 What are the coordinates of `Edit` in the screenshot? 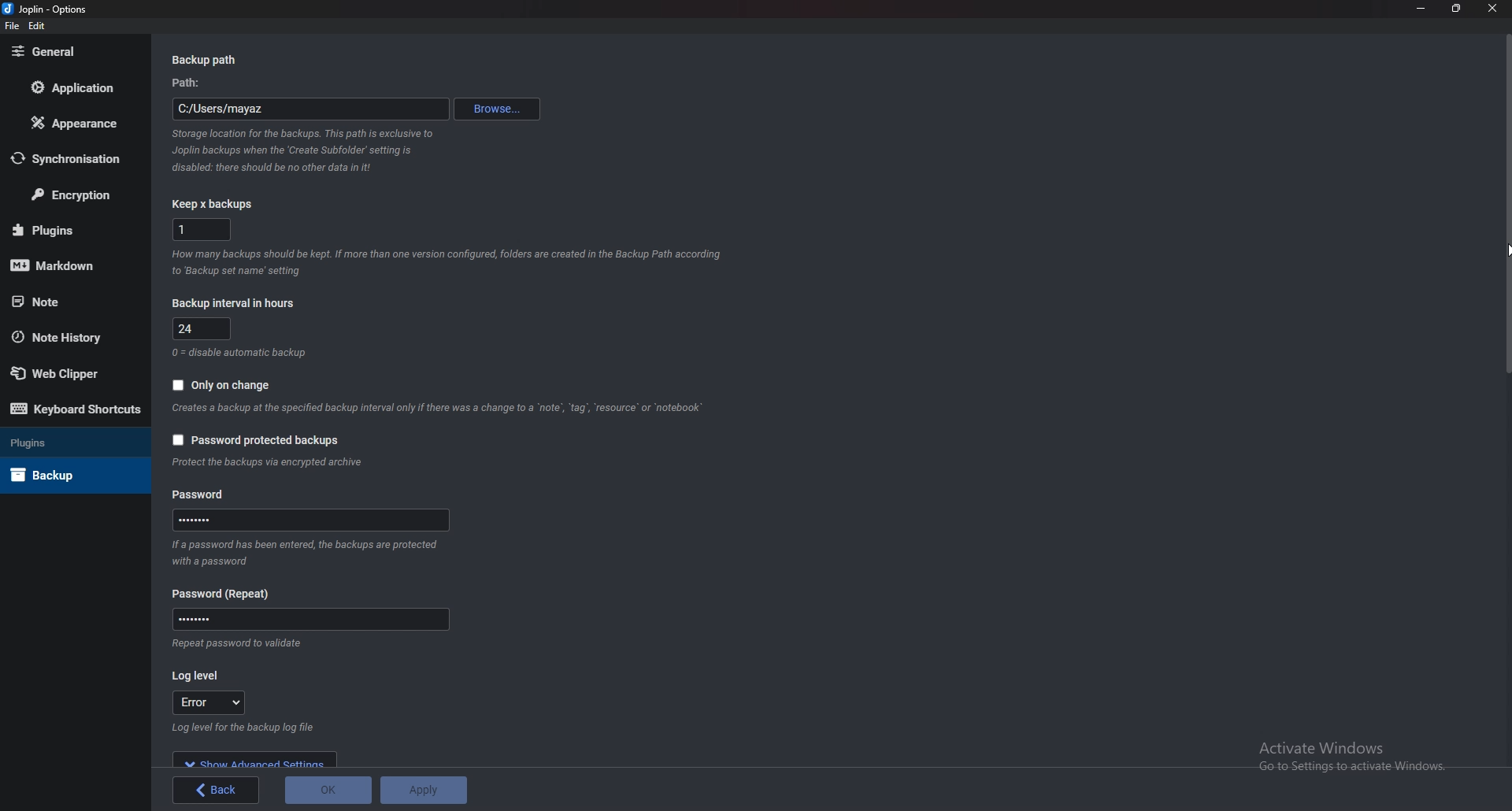 It's located at (38, 26).